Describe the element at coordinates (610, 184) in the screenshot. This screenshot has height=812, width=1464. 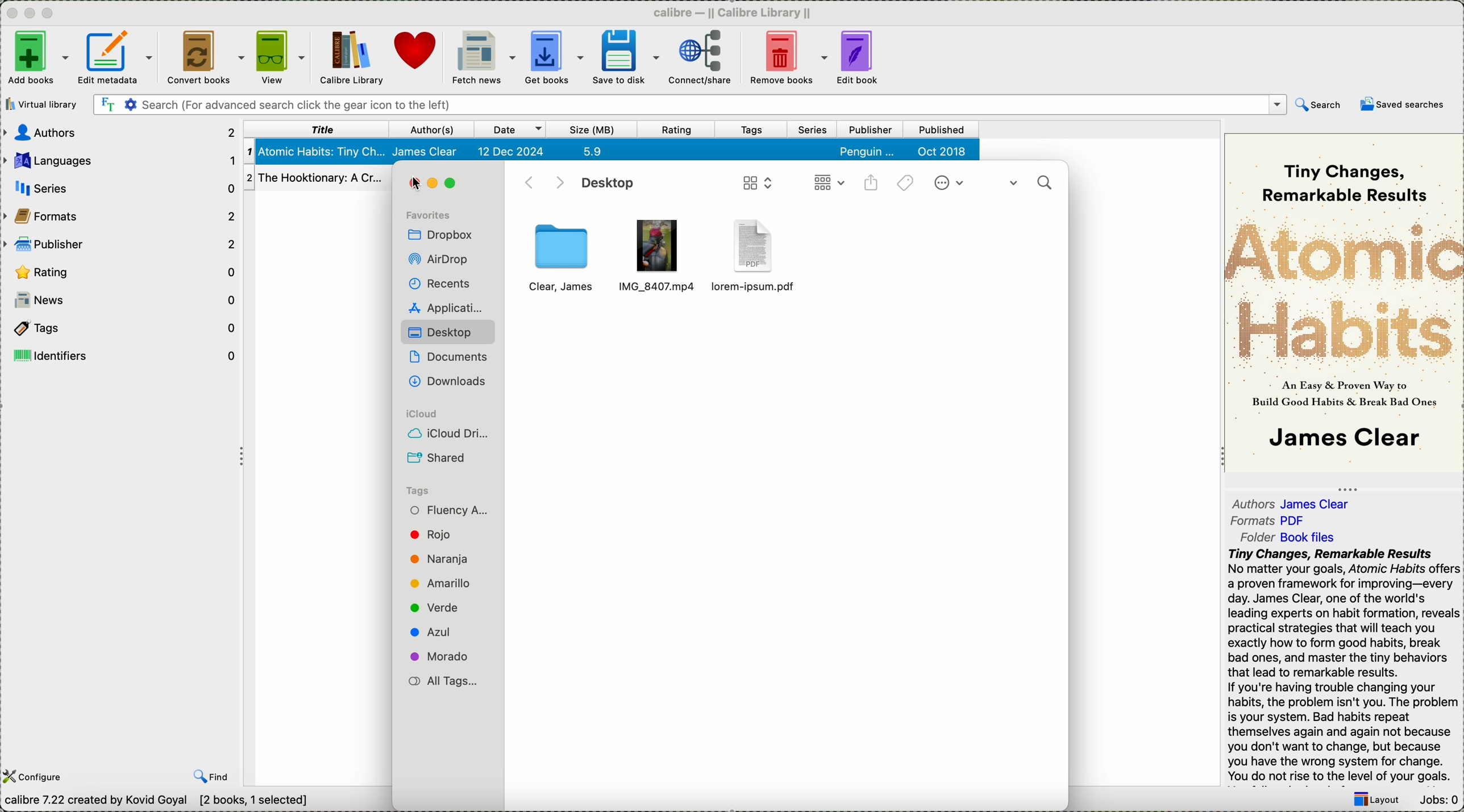
I see `desktop` at that location.